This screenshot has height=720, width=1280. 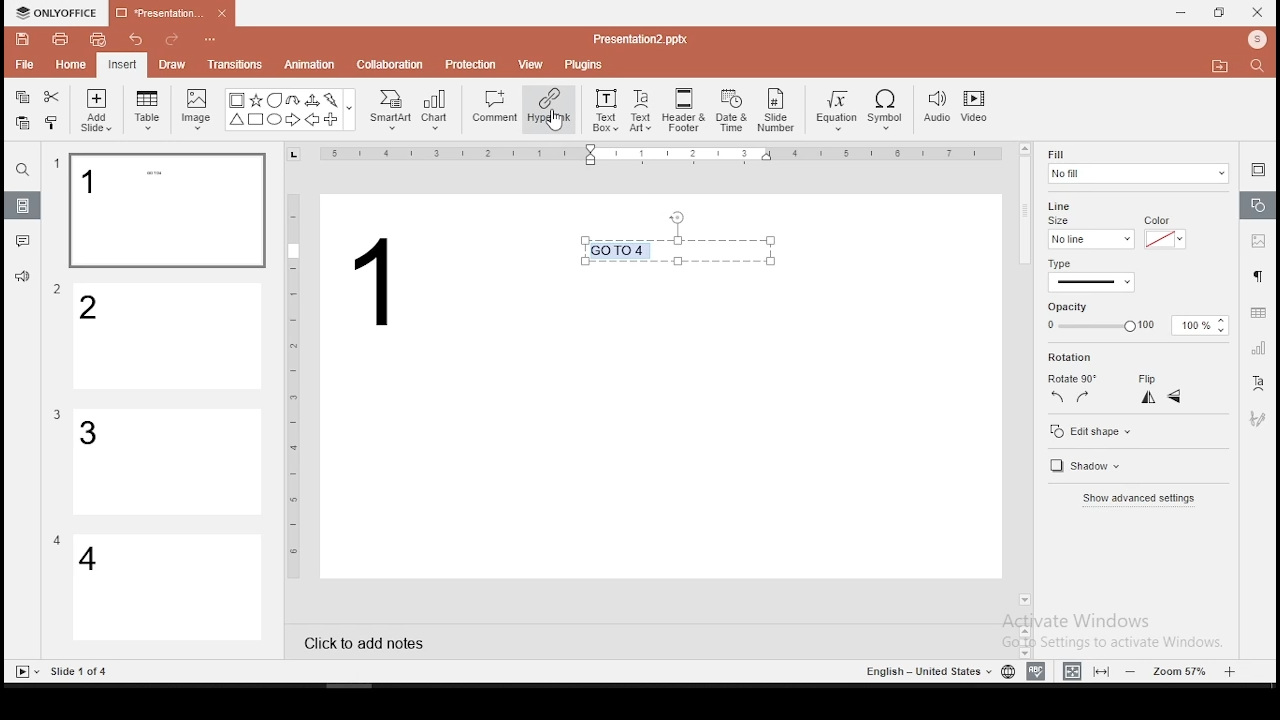 What do you see at coordinates (974, 109) in the screenshot?
I see `video` at bounding box center [974, 109].